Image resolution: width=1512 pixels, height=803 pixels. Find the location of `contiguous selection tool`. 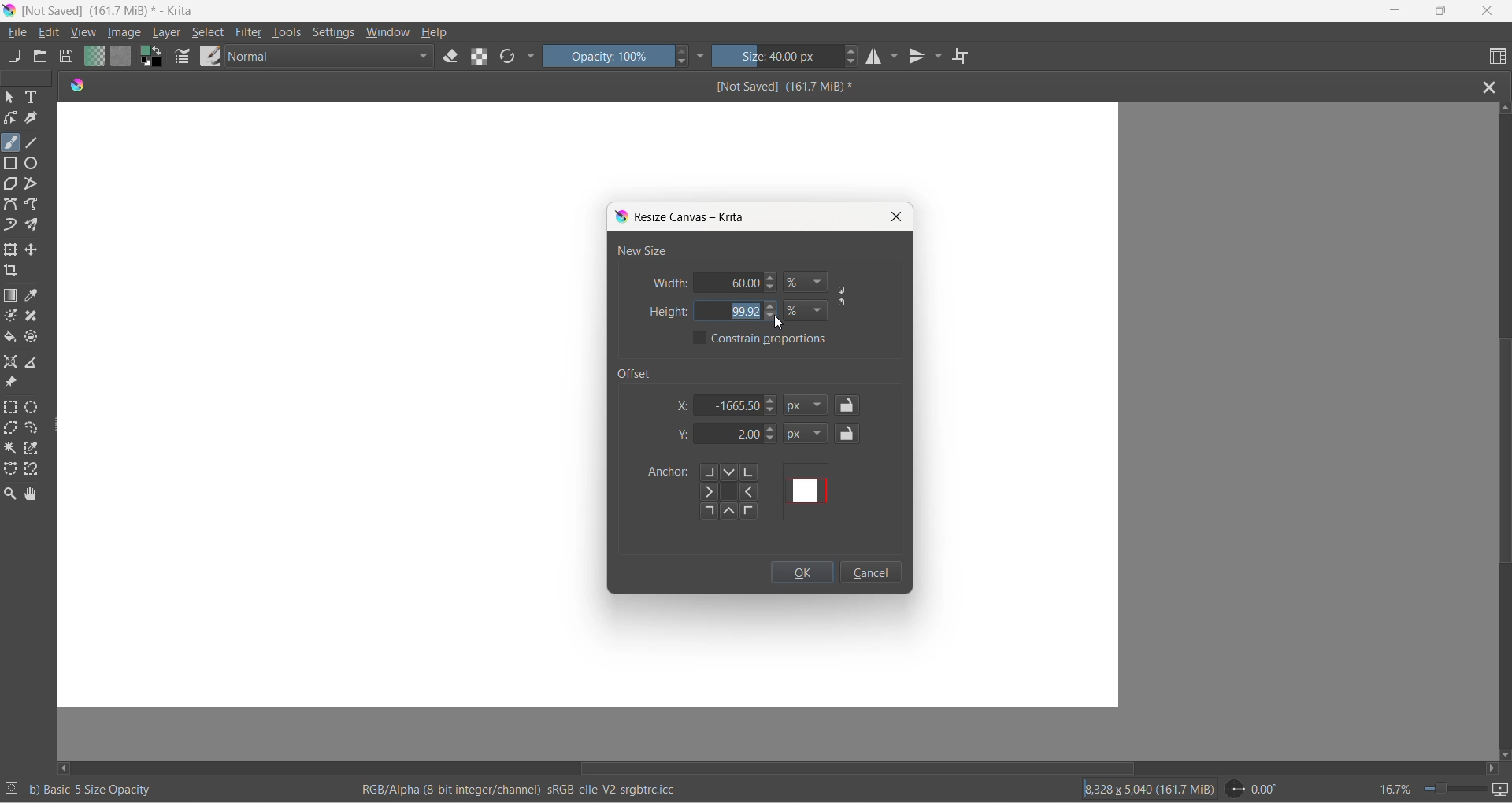

contiguous selection tool is located at coordinates (10, 447).